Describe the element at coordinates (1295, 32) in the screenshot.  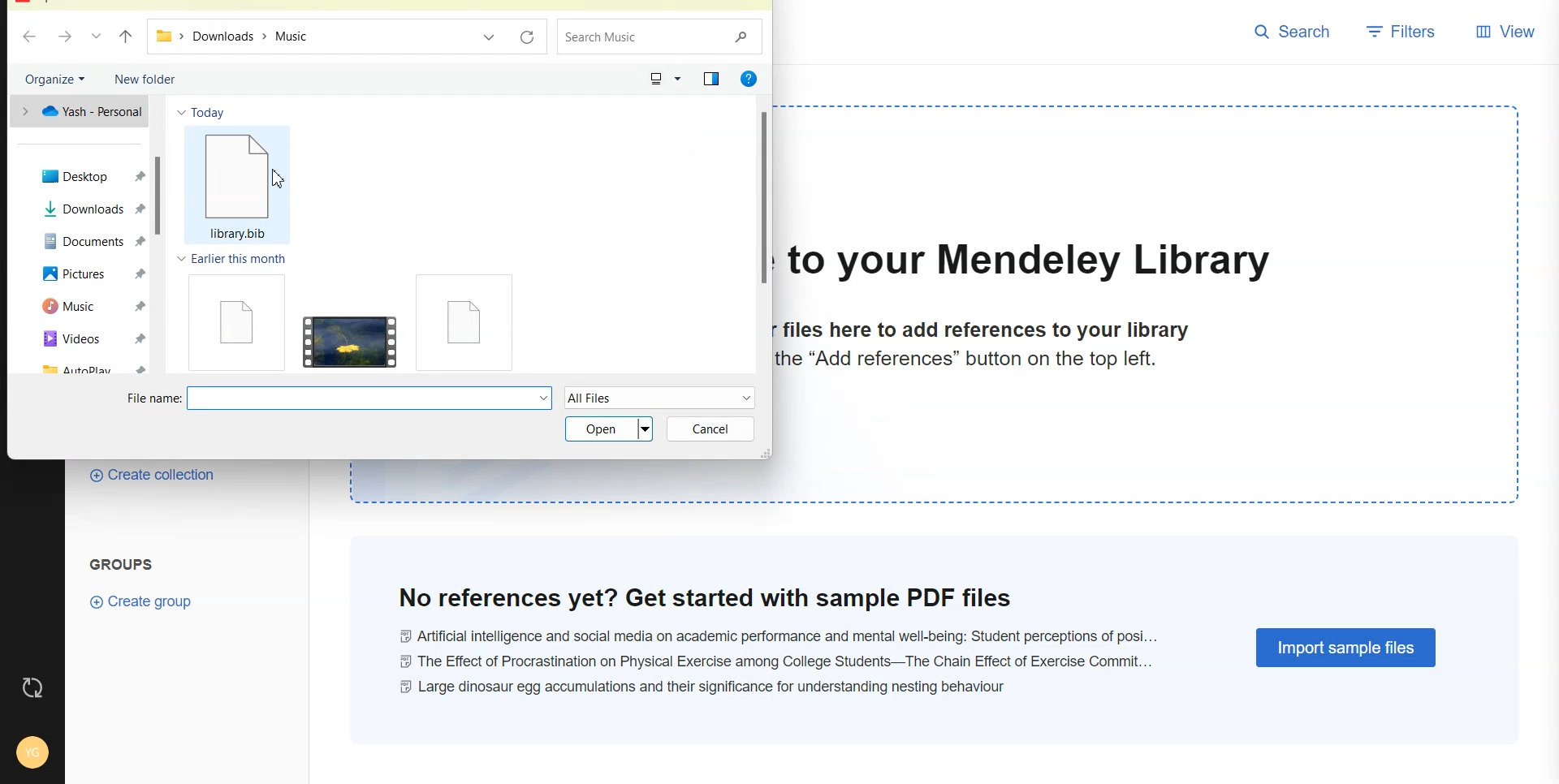
I see `Search` at that location.